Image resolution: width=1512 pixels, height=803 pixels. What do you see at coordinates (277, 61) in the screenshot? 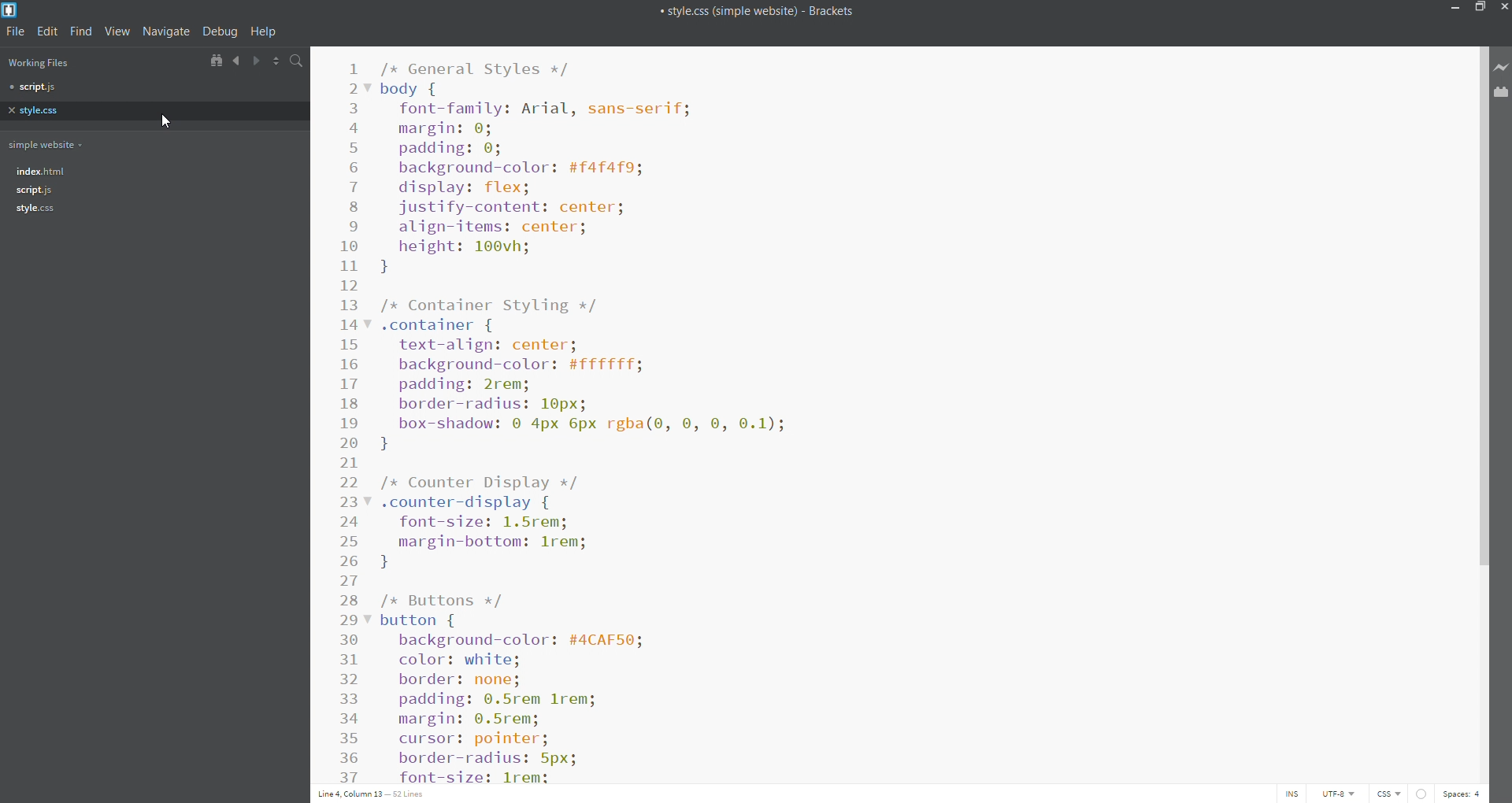
I see `split view` at bounding box center [277, 61].